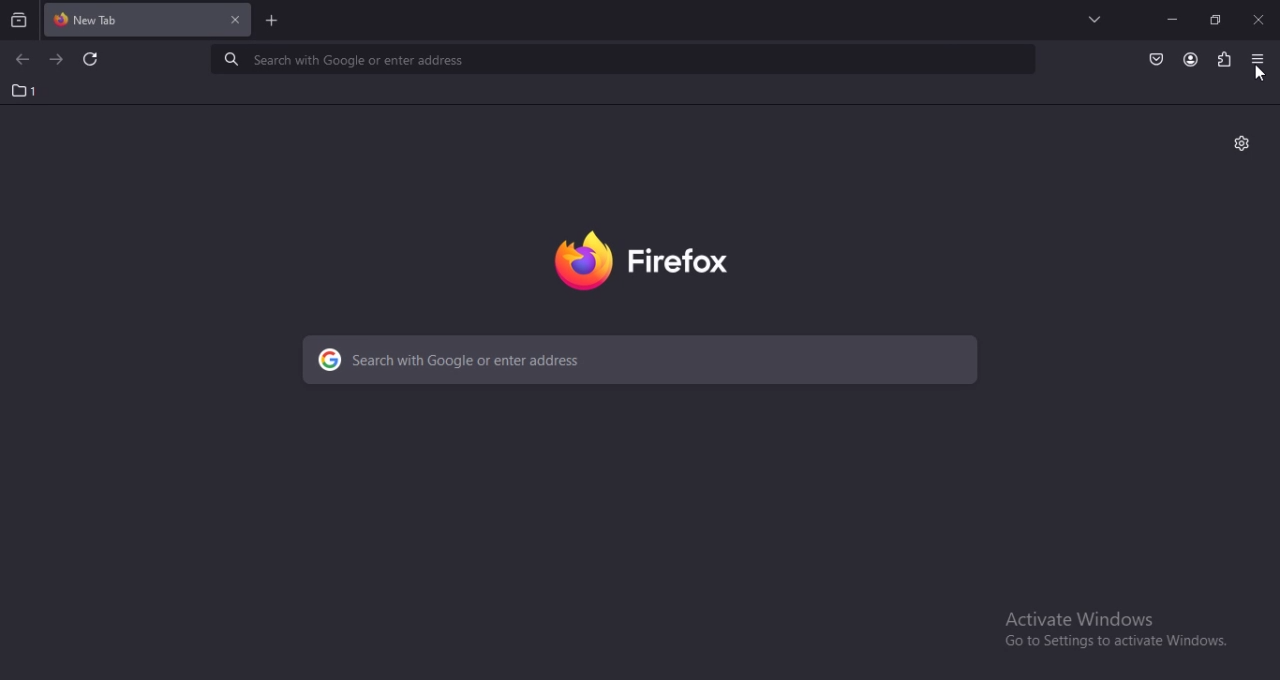  Describe the element at coordinates (1255, 59) in the screenshot. I see `open application menu` at that location.